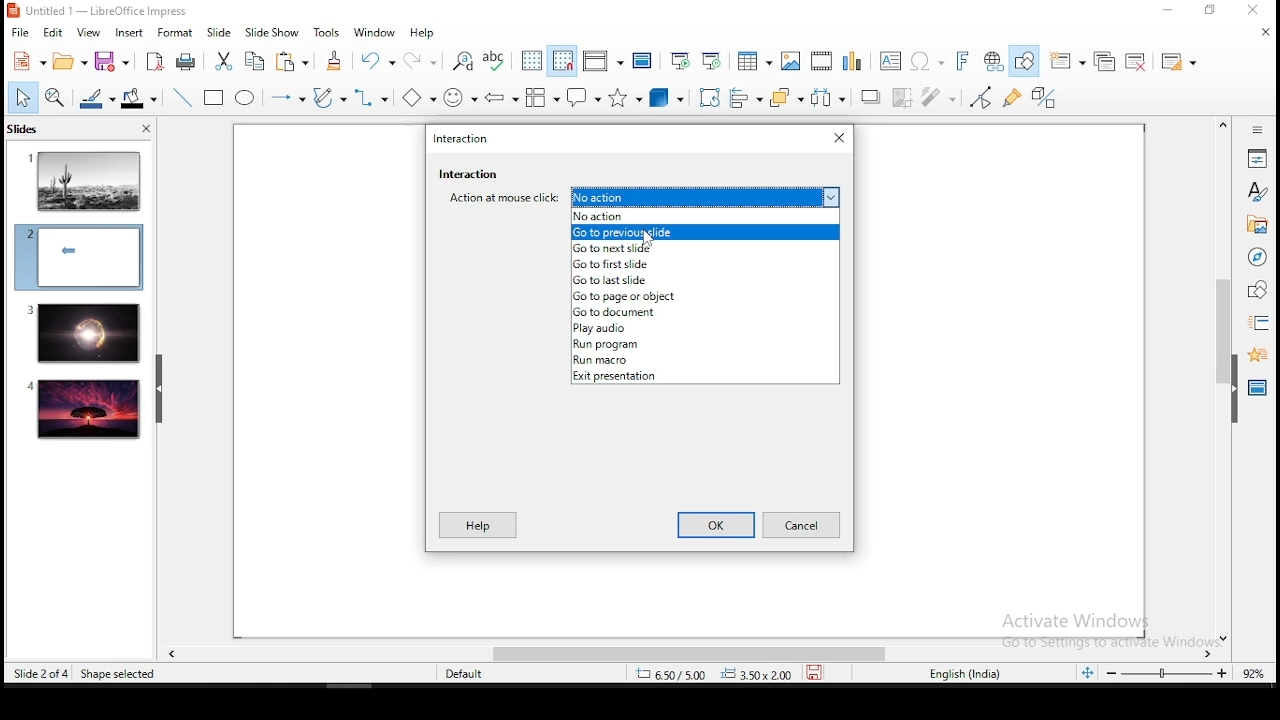  Describe the element at coordinates (424, 33) in the screenshot. I see `help` at that location.